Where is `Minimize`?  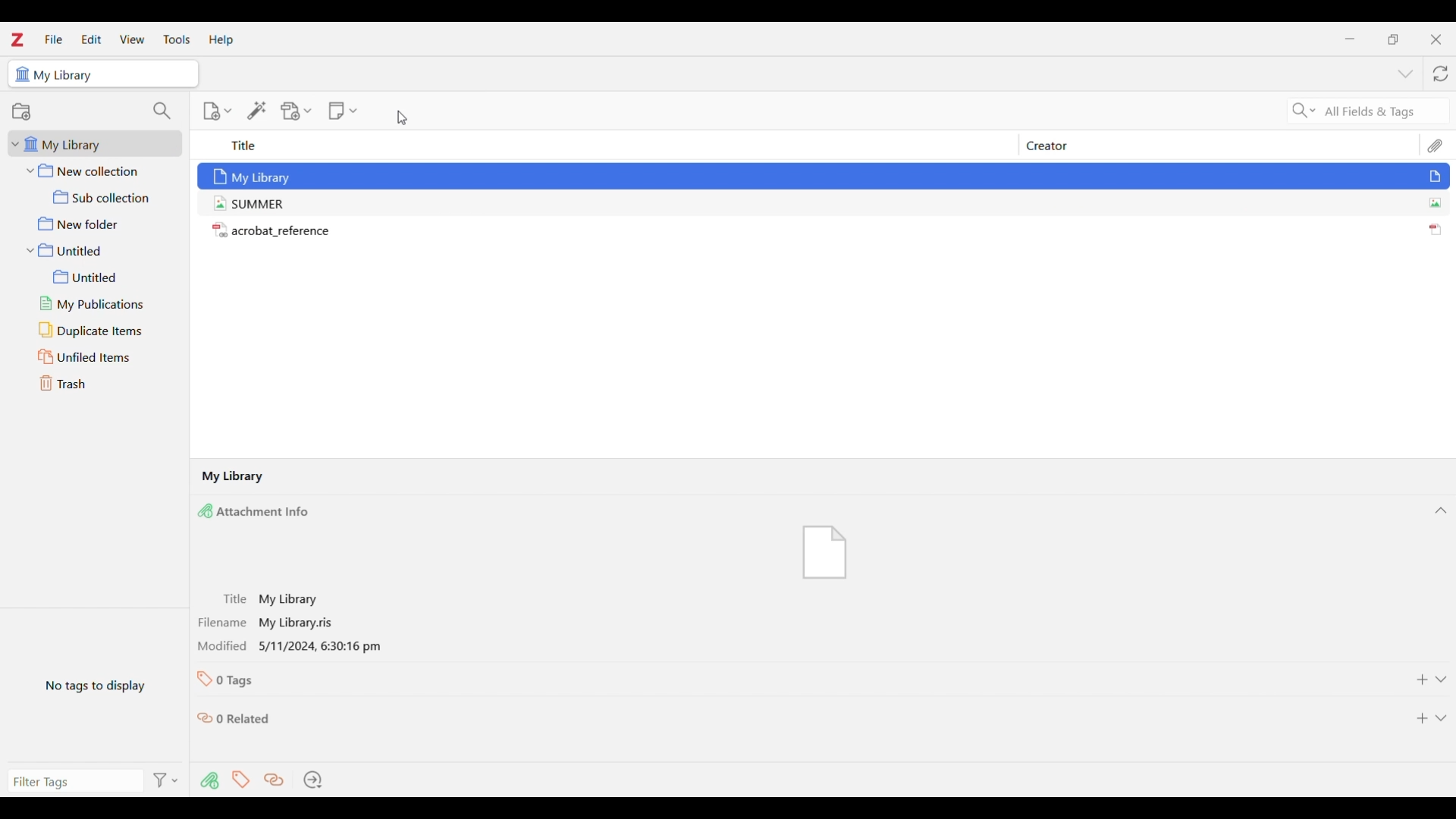 Minimize is located at coordinates (1350, 39).